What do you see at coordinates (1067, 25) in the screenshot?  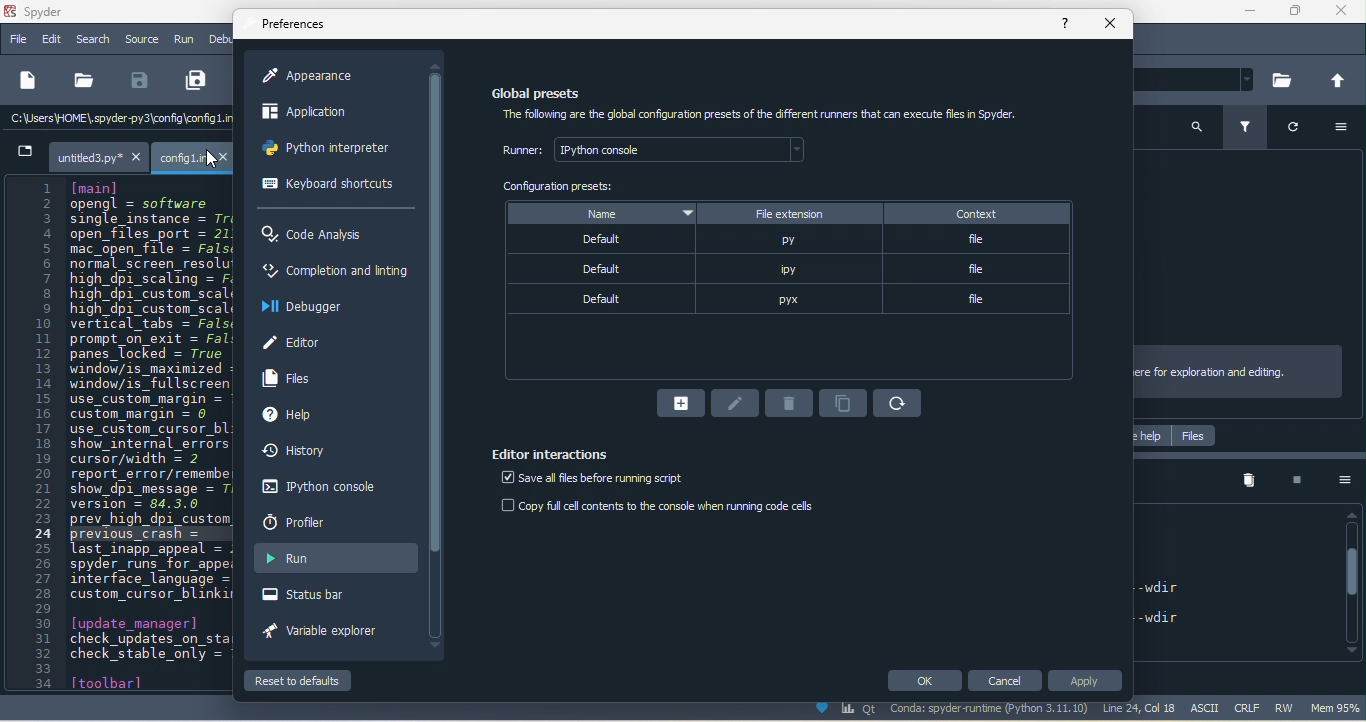 I see `help` at bounding box center [1067, 25].